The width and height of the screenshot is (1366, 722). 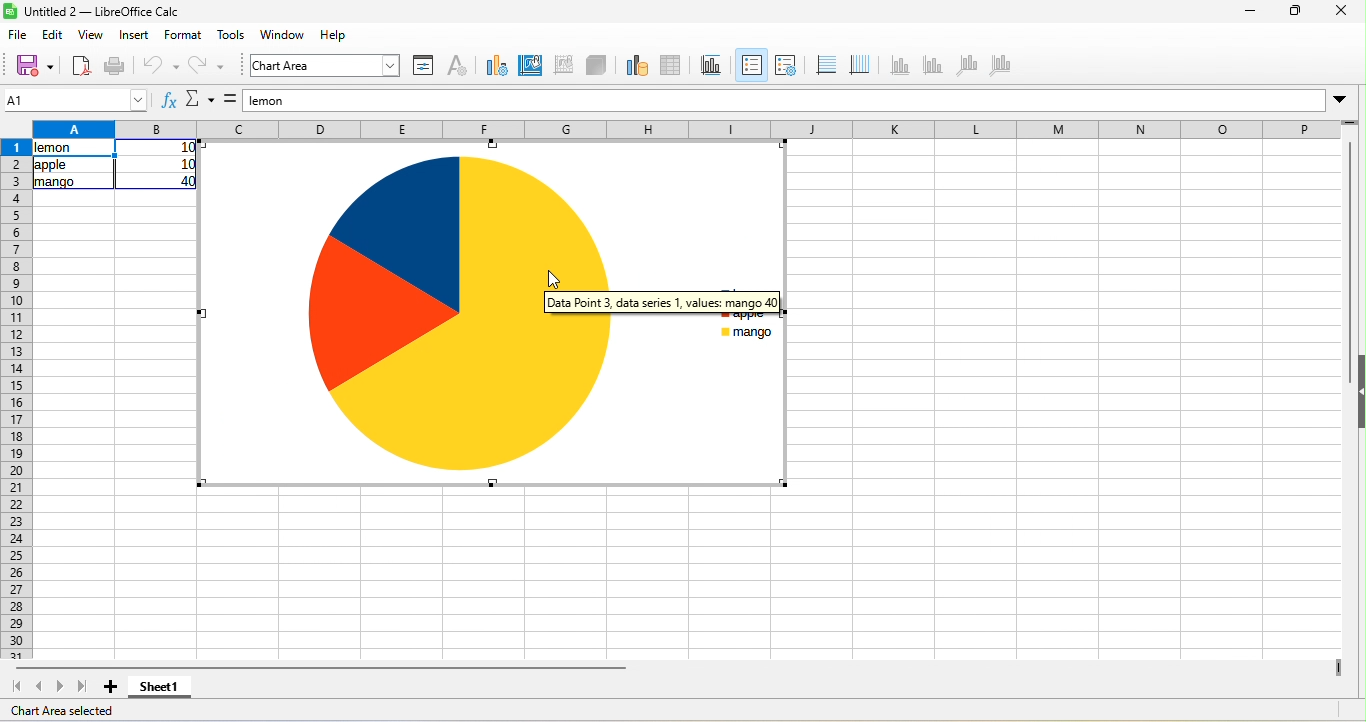 What do you see at coordinates (199, 102) in the screenshot?
I see `select function` at bounding box center [199, 102].